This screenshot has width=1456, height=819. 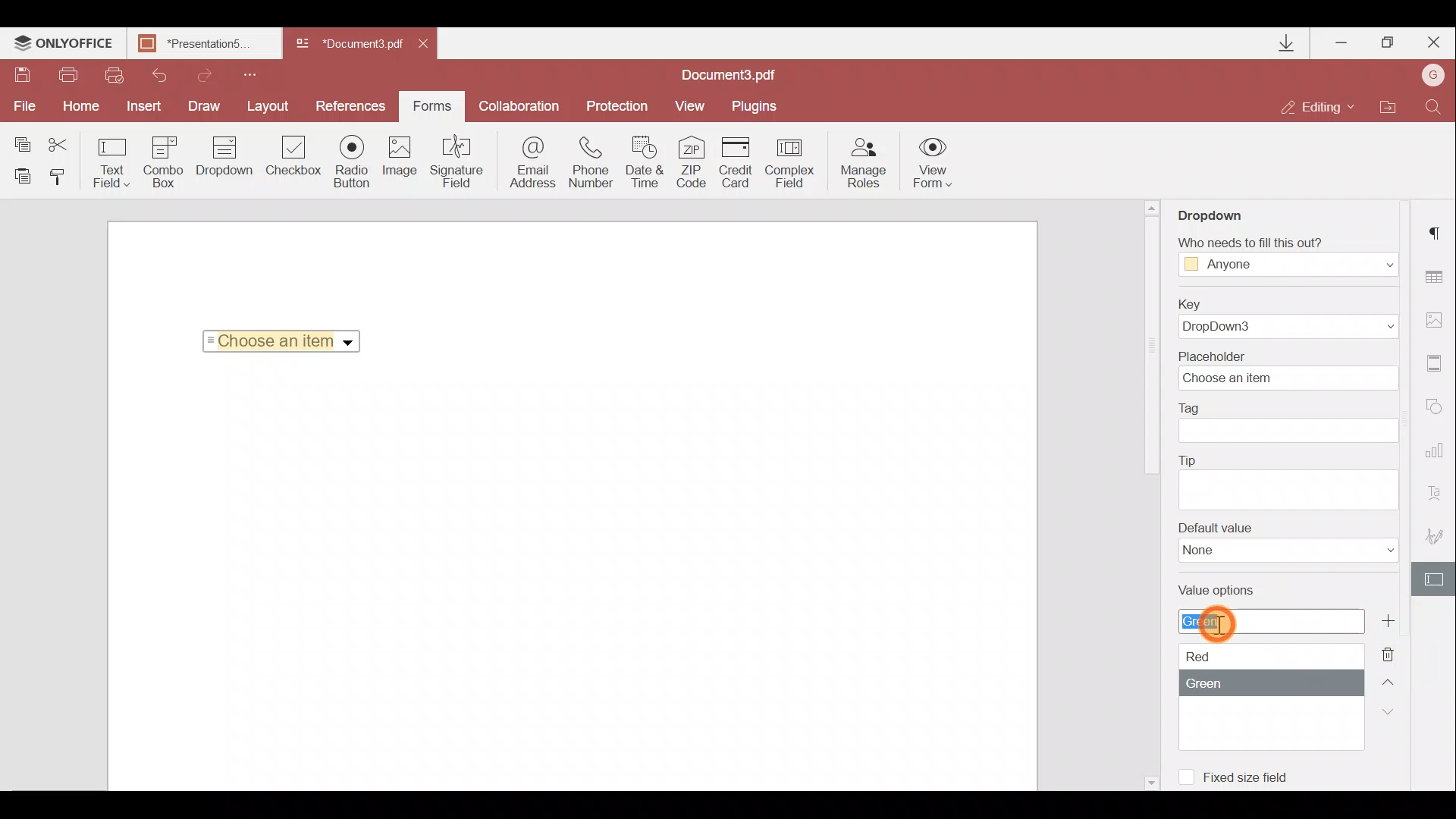 I want to click on Scroll bar, so click(x=1150, y=350).